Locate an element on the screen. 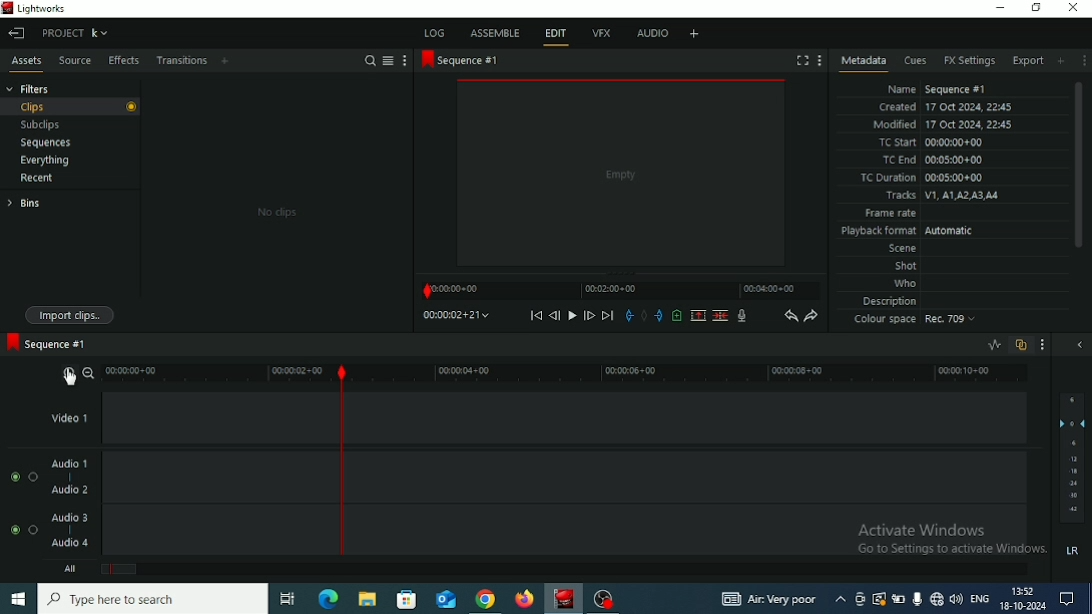 The image size is (1092, 614). Tracks is located at coordinates (941, 196).